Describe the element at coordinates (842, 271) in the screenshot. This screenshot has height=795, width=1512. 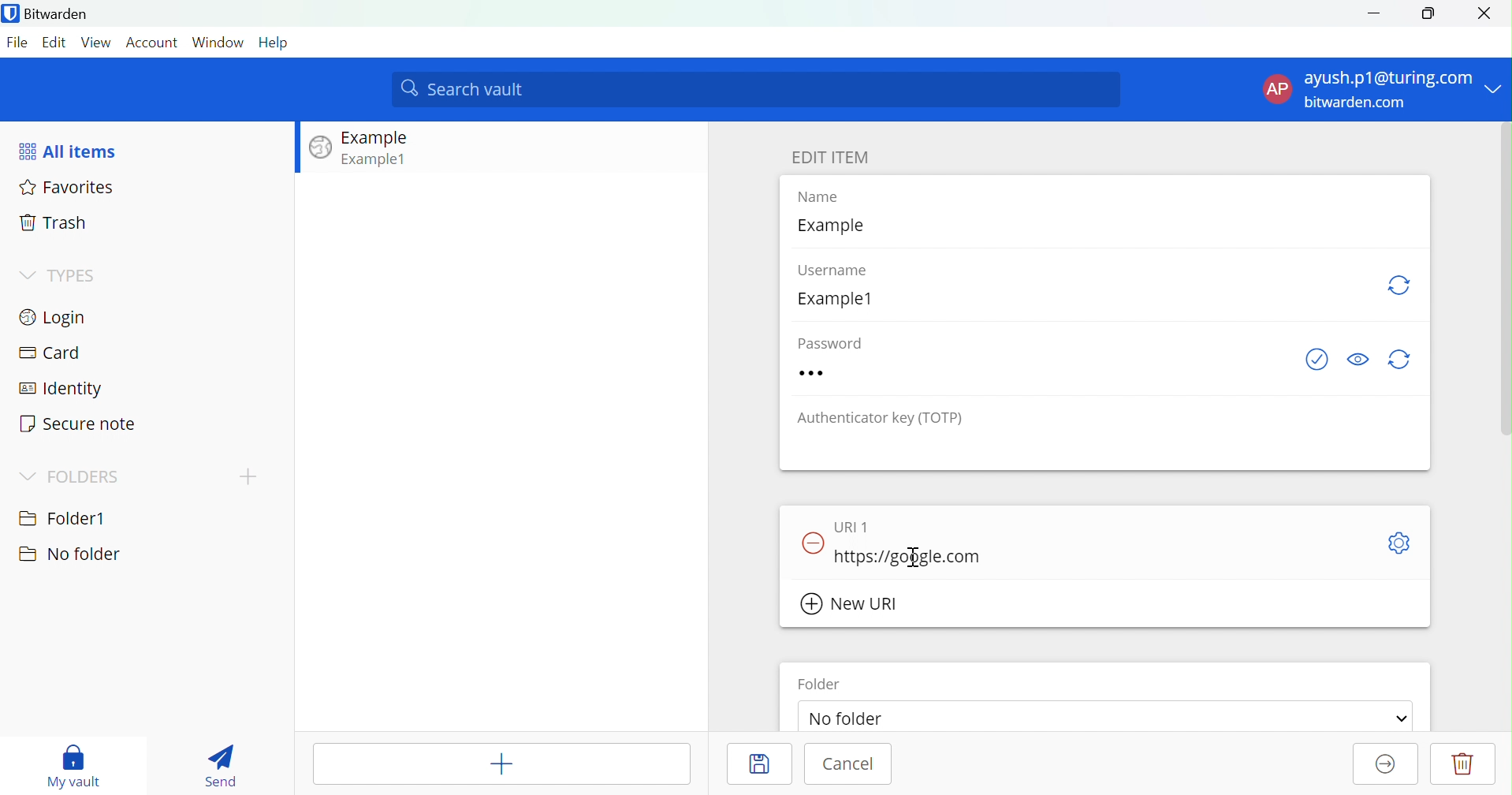
I see `Username` at that location.